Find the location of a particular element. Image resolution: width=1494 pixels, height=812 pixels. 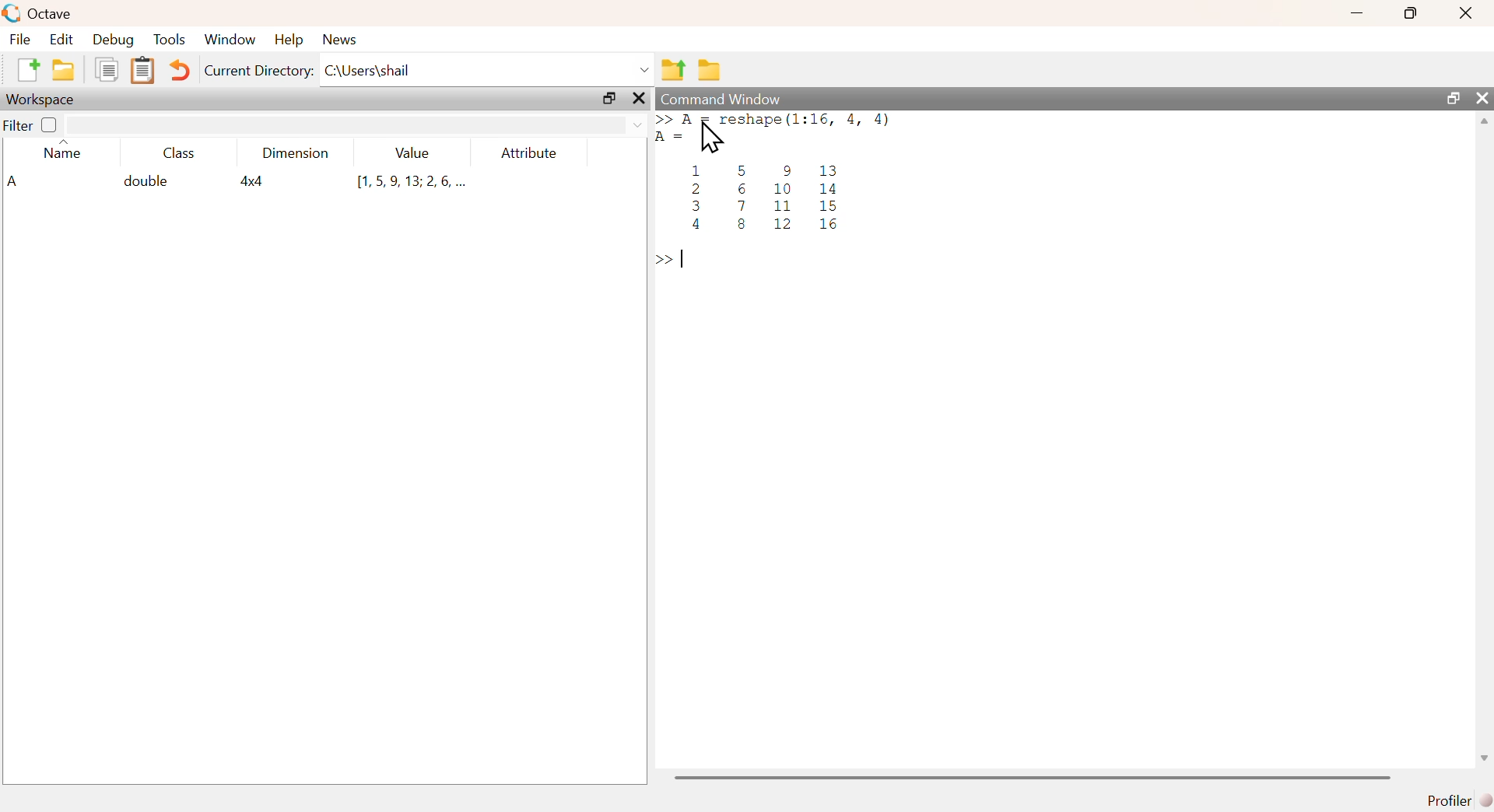

attribute is located at coordinates (534, 154).